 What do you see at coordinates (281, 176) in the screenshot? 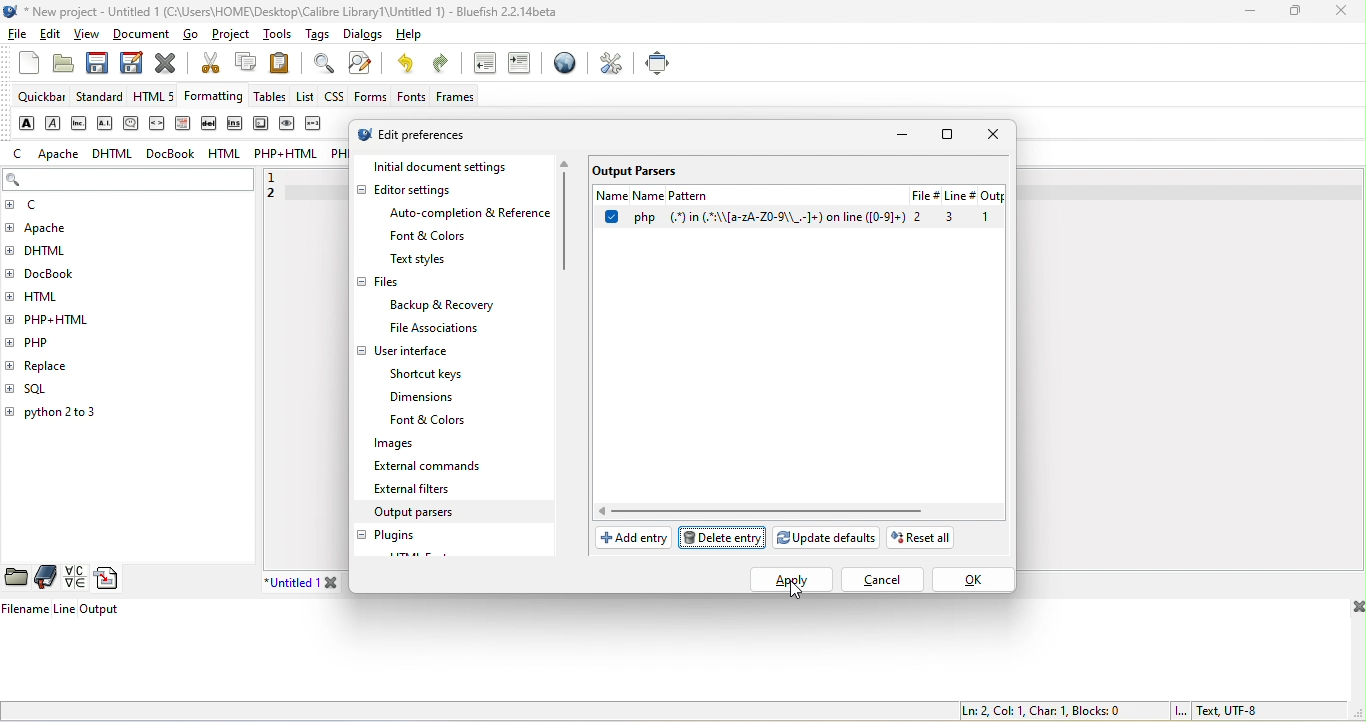
I see `1` at bounding box center [281, 176].